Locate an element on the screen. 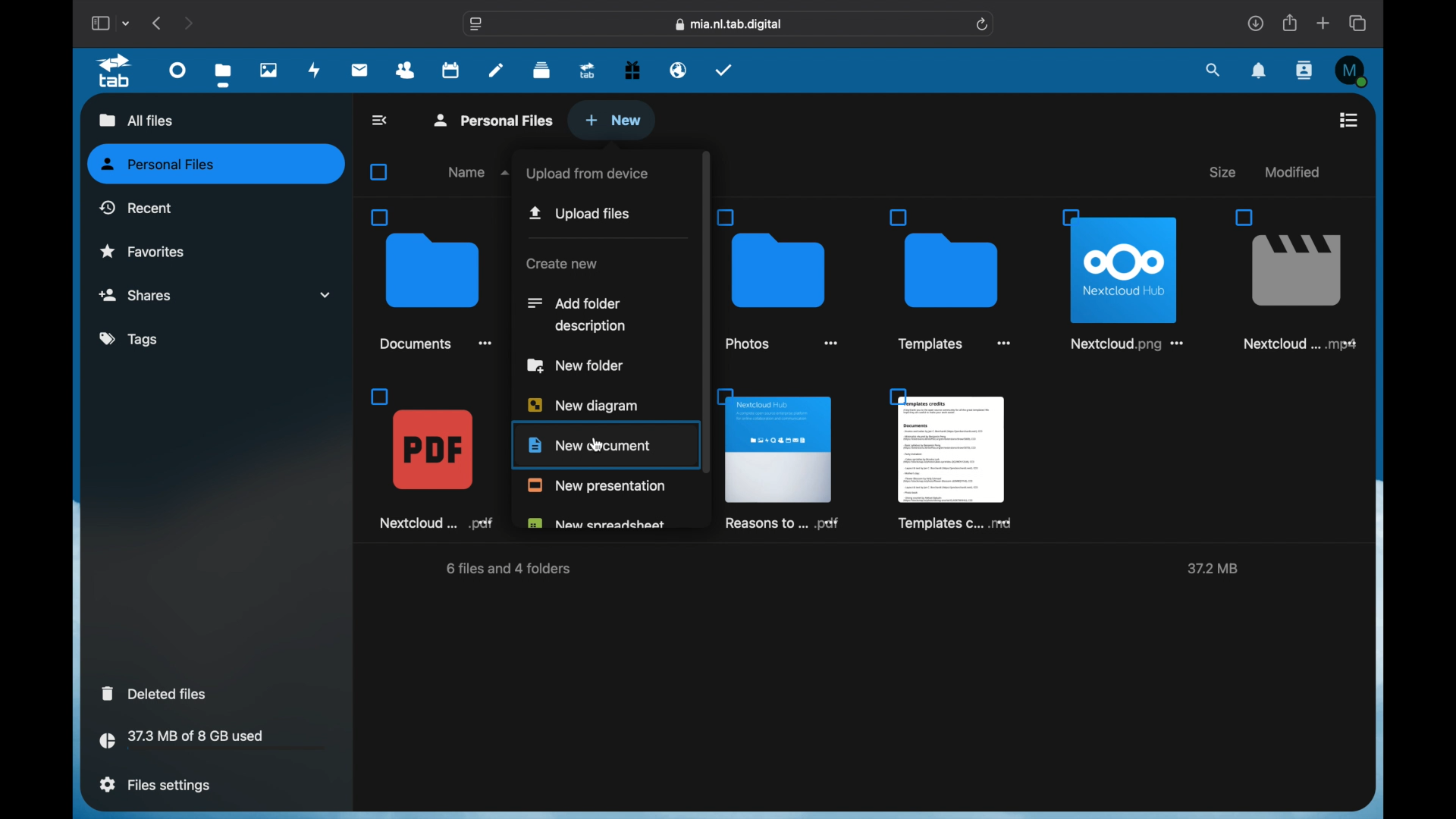  calendar is located at coordinates (450, 69).